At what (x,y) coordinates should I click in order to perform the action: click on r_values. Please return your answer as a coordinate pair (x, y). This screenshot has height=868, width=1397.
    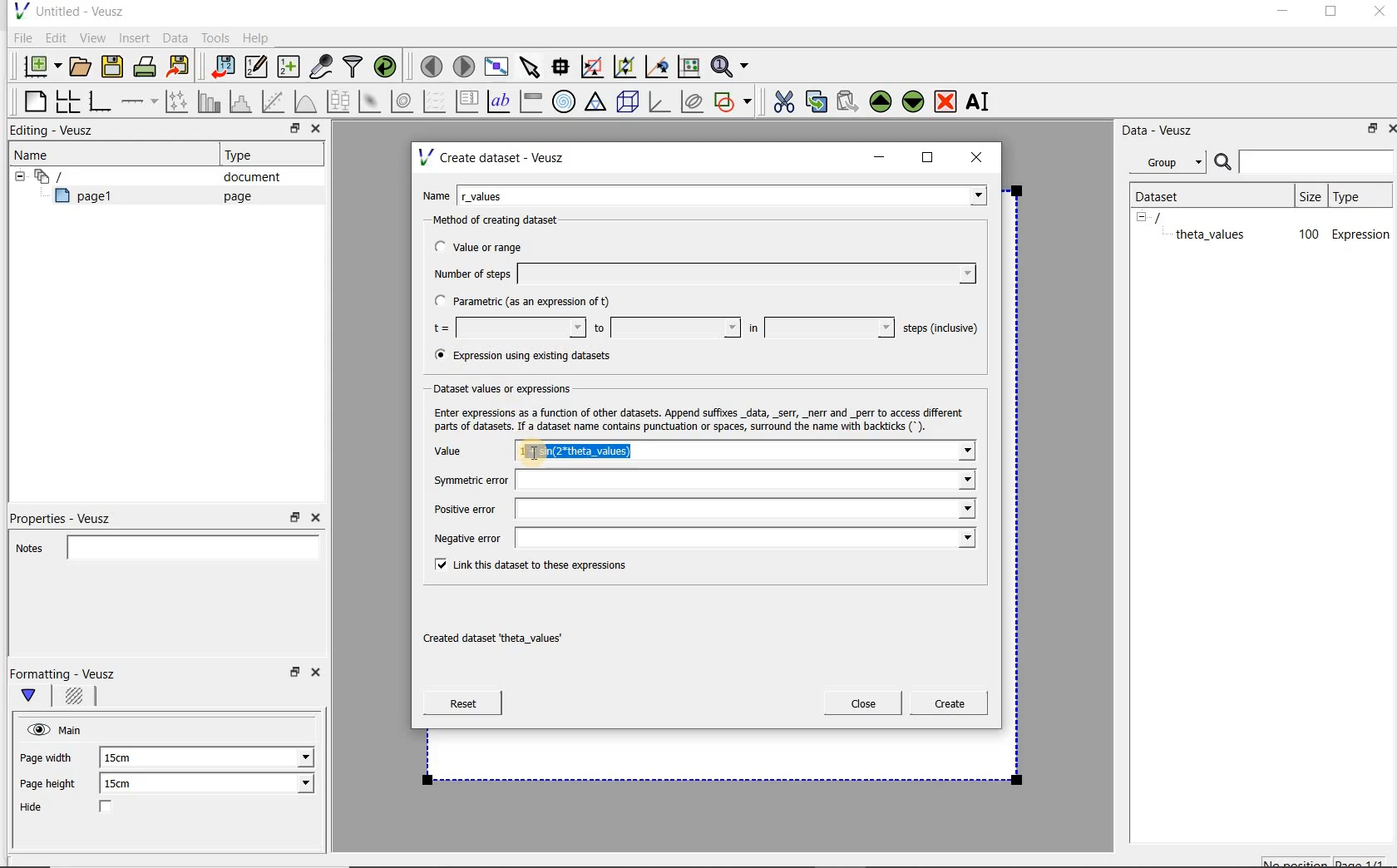
    Looking at the image, I should click on (723, 194).